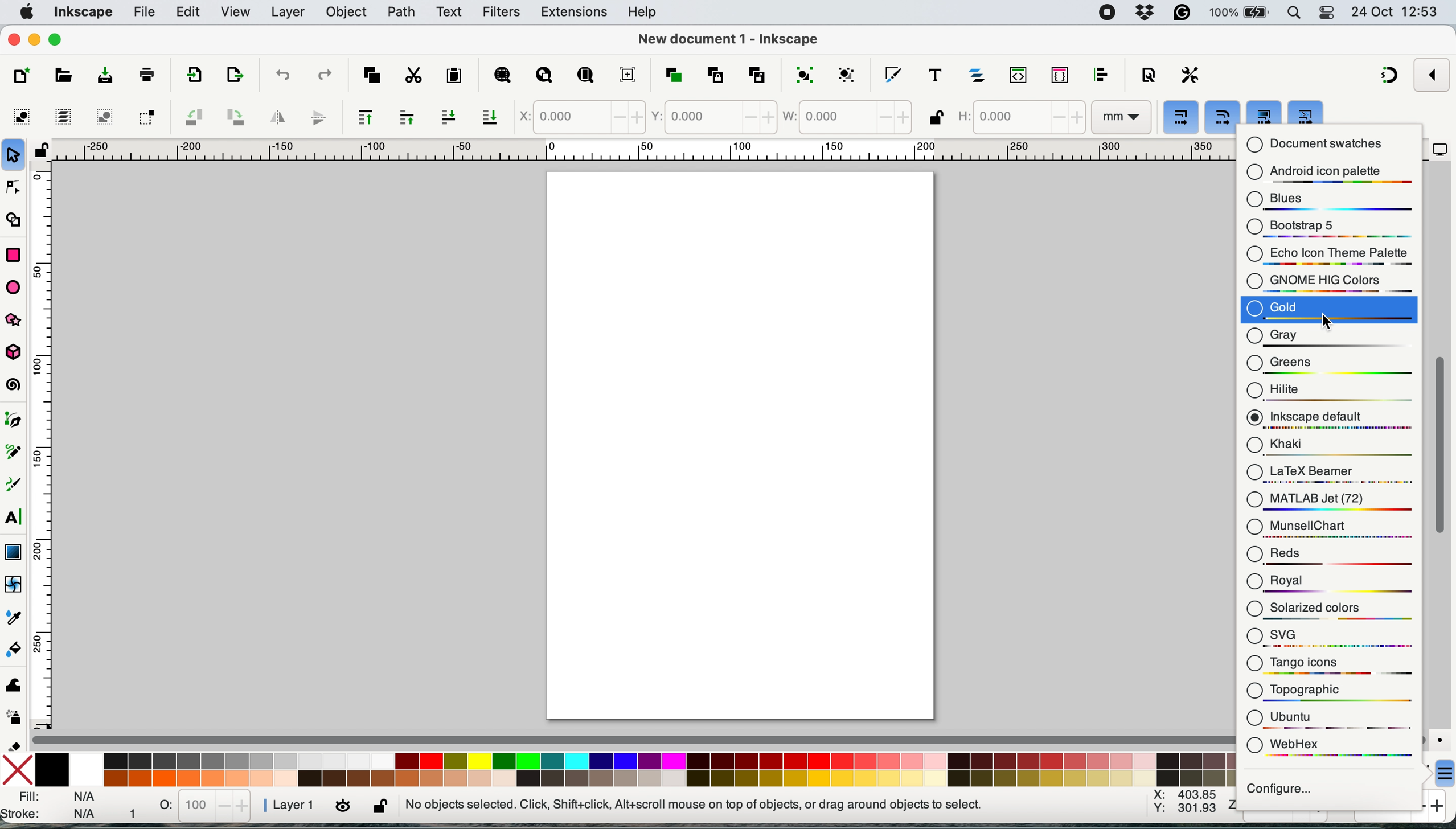 The image size is (1456, 829). Describe the element at coordinates (1332, 391) in the screenshot. I see `hilte` at that location.